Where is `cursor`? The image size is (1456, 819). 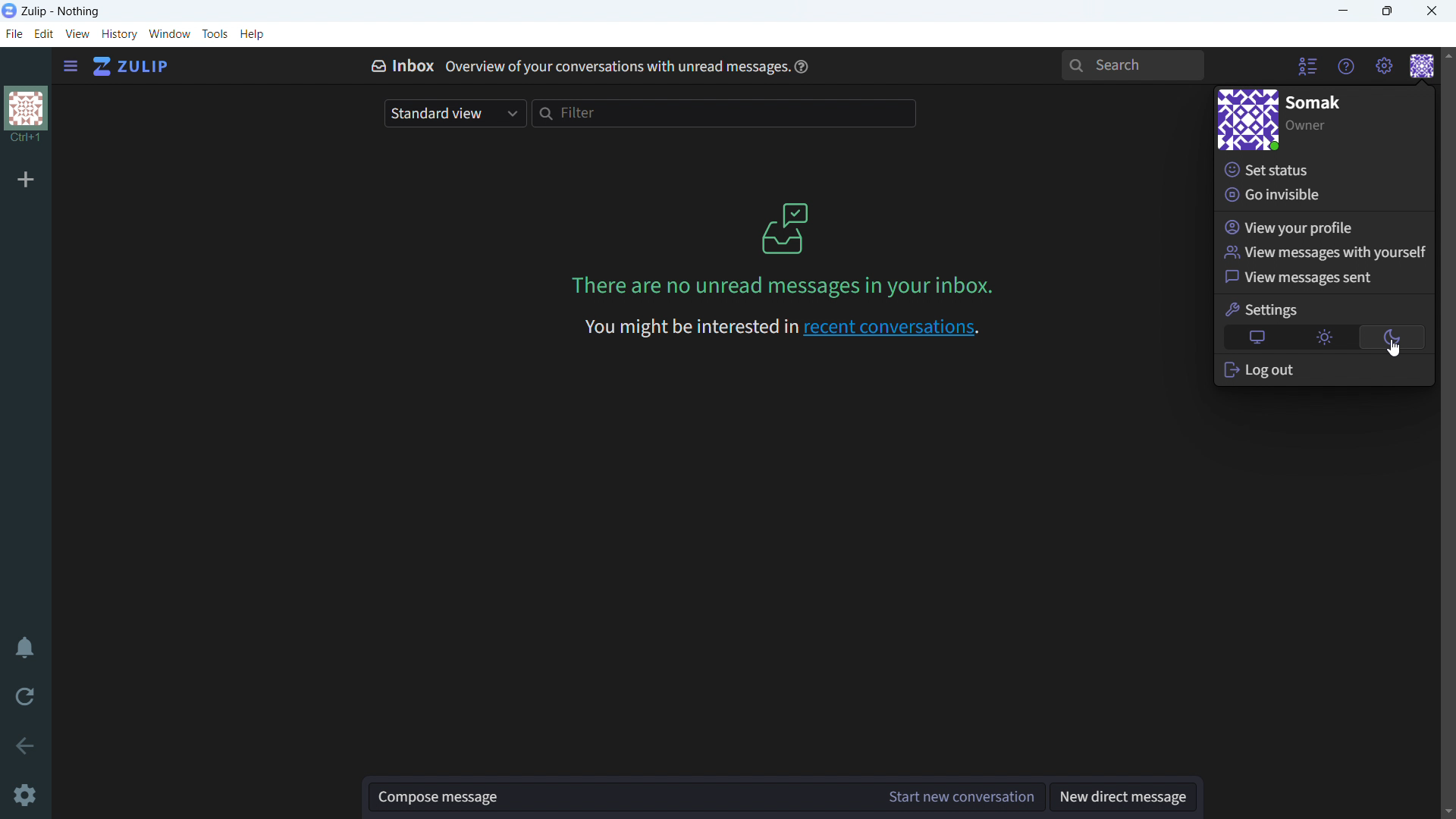
cursor is located at coordinates (1398, 350).